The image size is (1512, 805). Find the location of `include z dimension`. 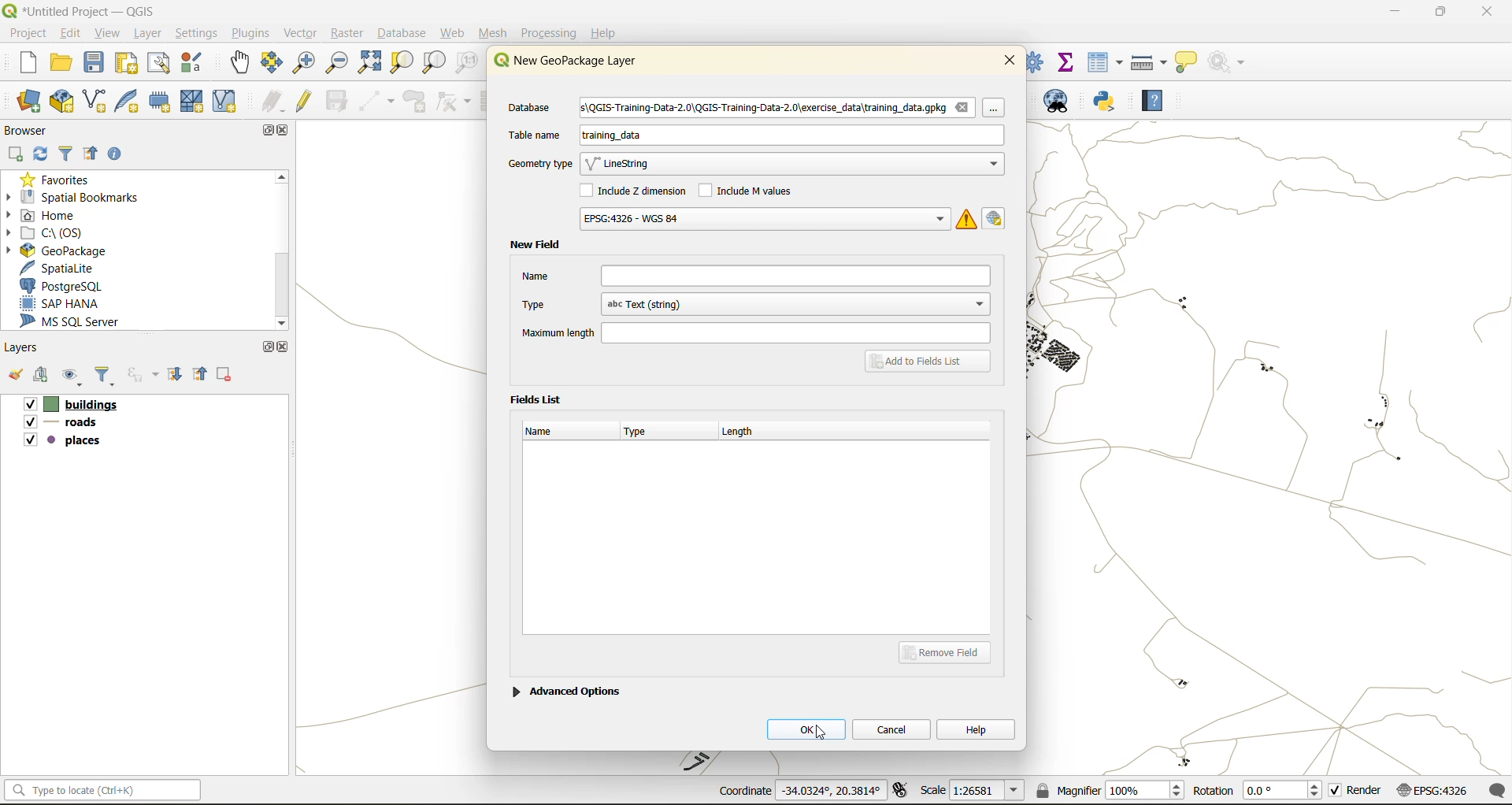

include z dimension is located at coordinates (636, 192).